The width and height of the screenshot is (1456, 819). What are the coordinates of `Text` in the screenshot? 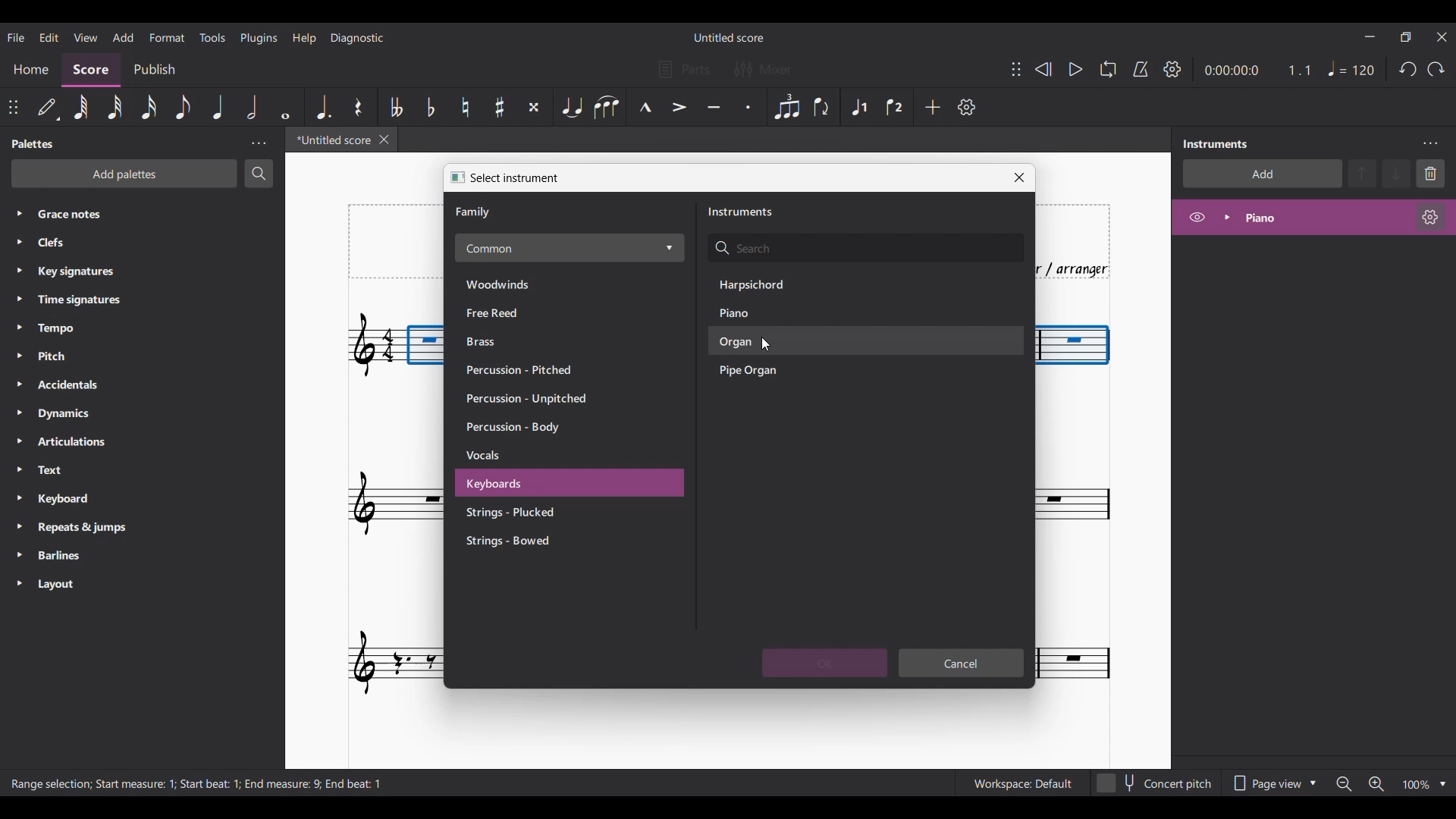 It's located at (80, 471).